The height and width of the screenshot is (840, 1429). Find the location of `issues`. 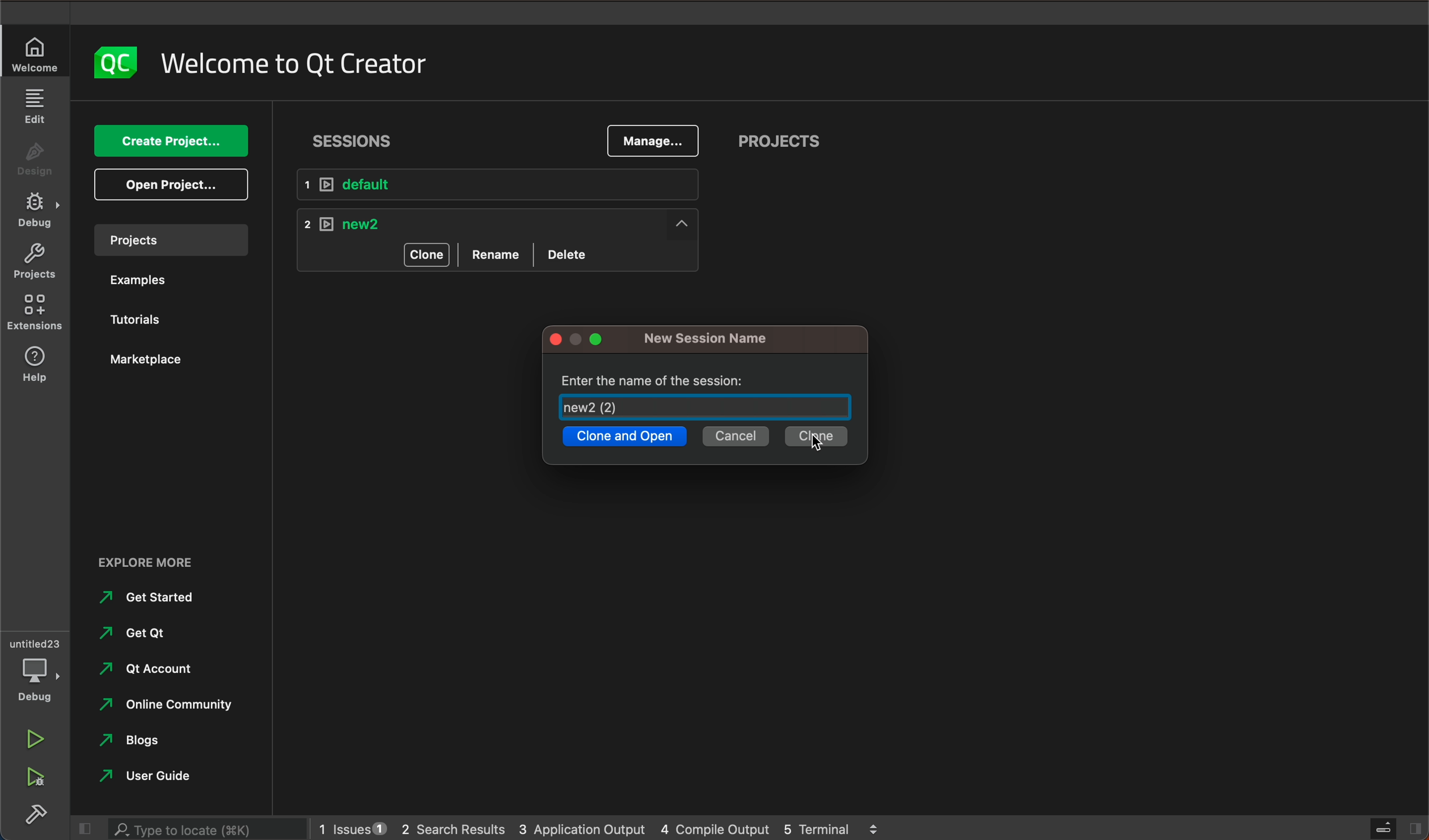

issues is located at coordinates (352, 826).